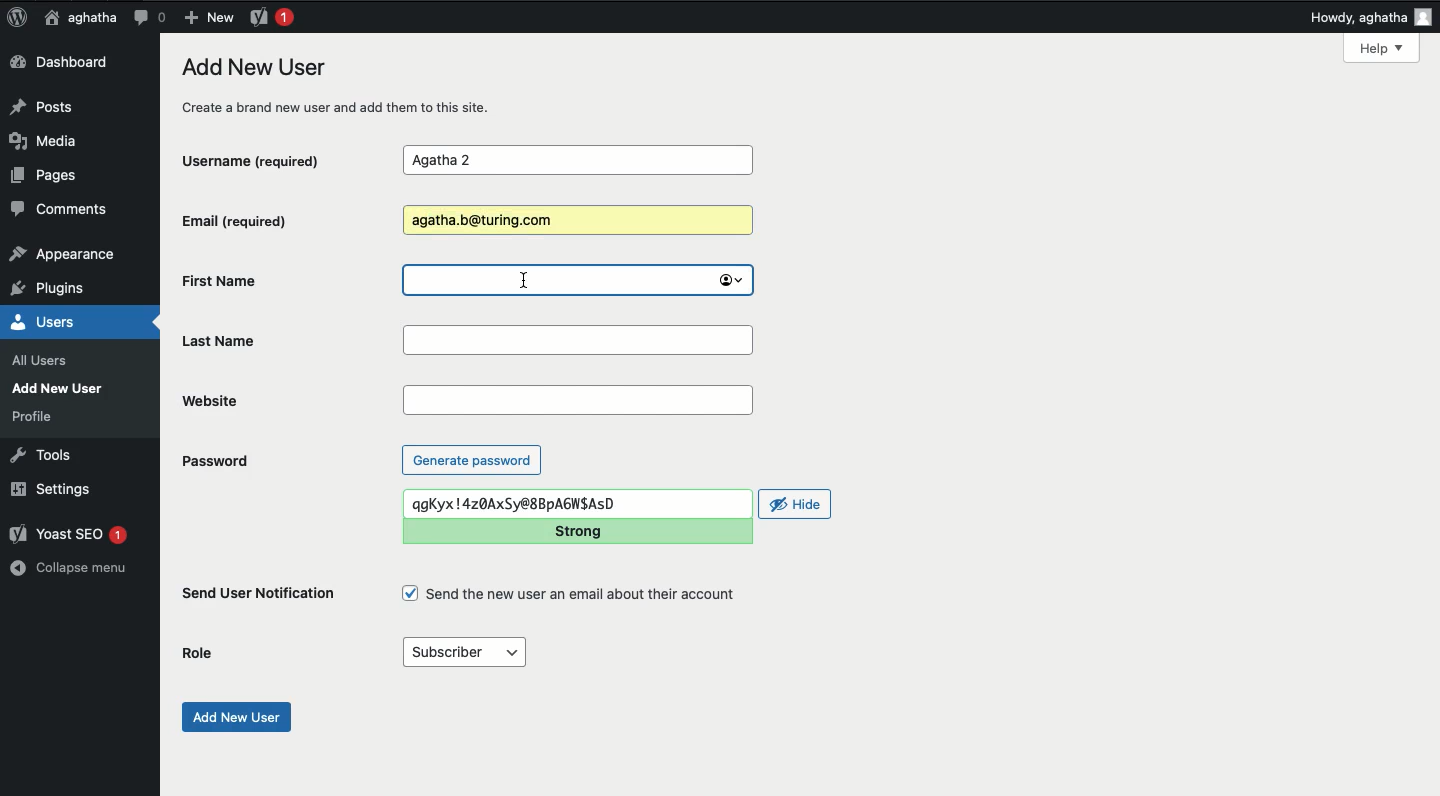 The image size is (1440, 796). I want to click on plugins, so click(58, 289).